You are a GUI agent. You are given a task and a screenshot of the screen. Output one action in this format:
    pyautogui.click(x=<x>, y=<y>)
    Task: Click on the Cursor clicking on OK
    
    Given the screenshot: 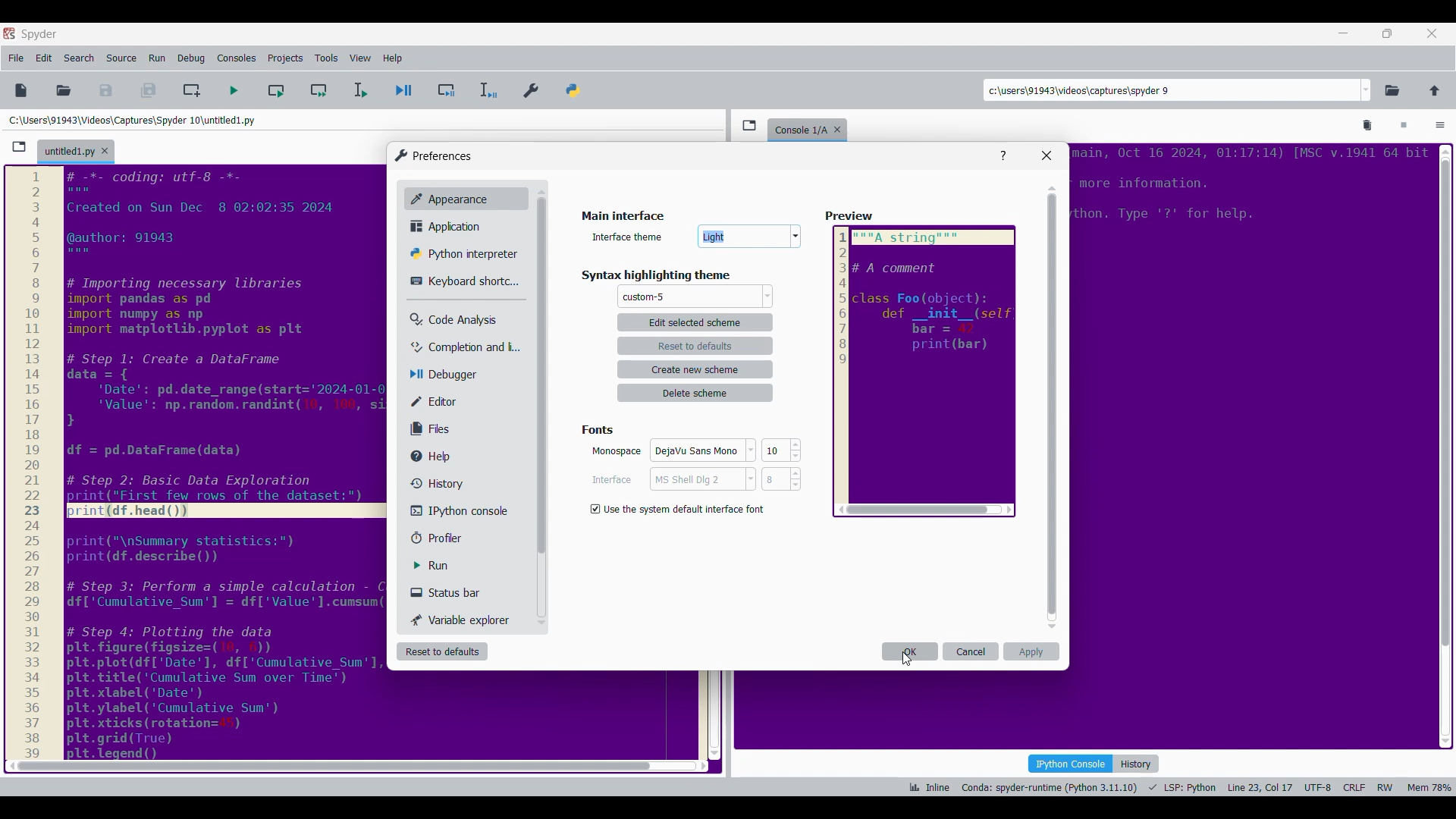 What is the action you would take?
    pyautogui.click(x=907, y=658)
    